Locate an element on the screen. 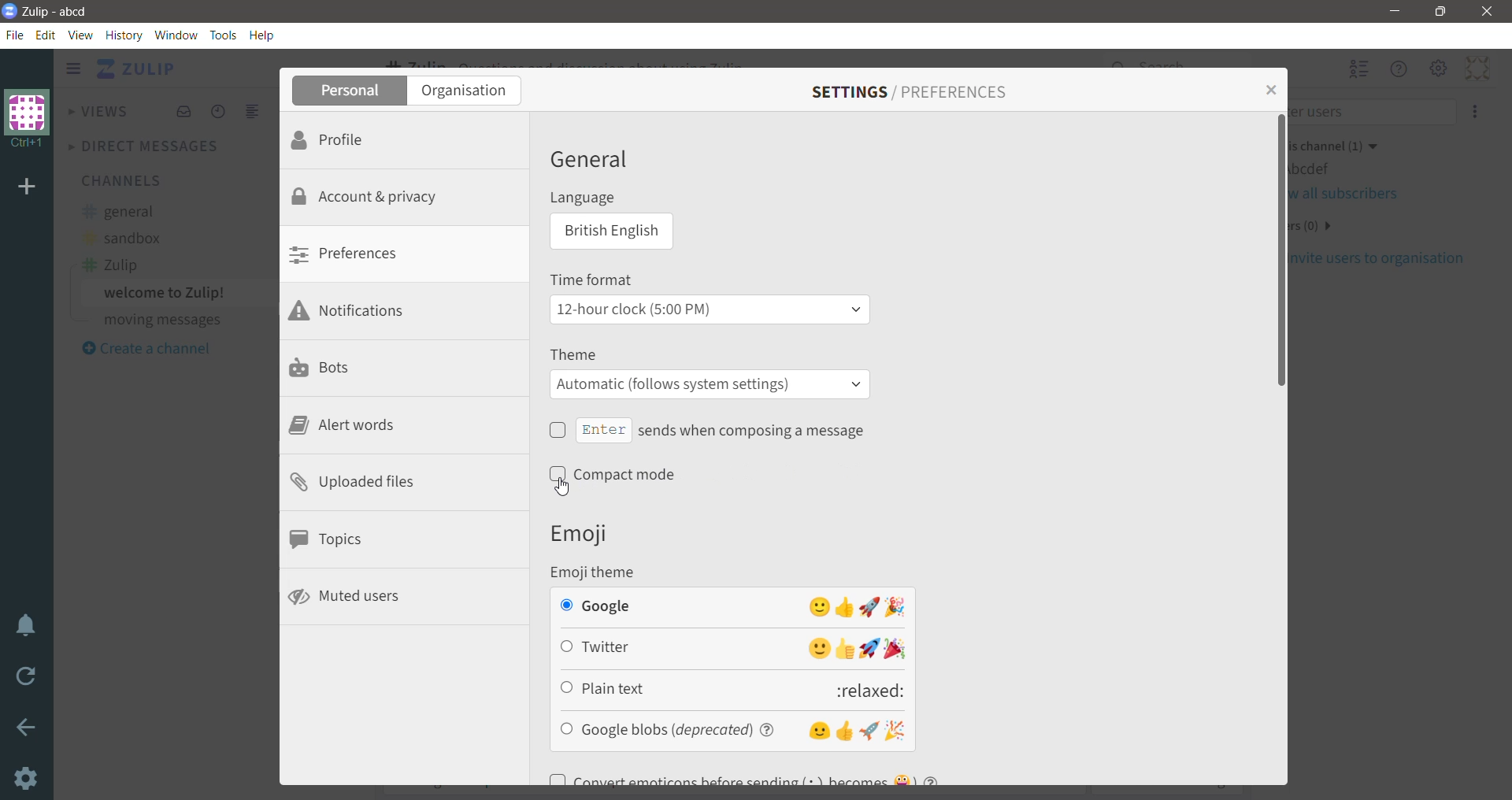 Image resolution: width=1512 pixels, height=800 pixels. Account and privacy is located at coordinates (368, 197).